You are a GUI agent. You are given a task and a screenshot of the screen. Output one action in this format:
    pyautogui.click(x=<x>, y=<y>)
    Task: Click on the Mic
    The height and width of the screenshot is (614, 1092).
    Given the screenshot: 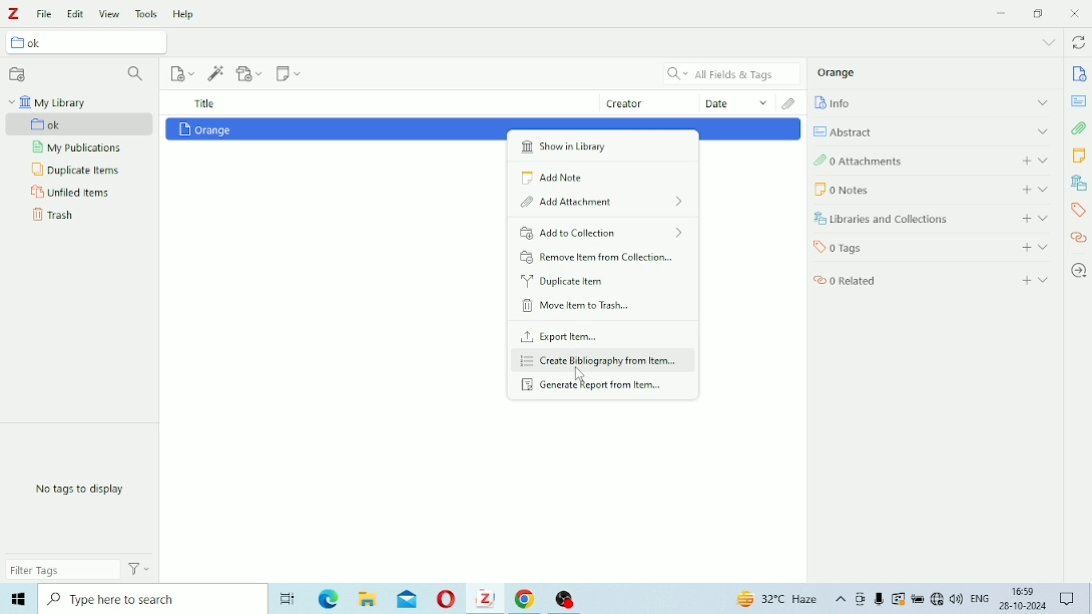 What is the action you would take?
    pyautogui.click(x=879, y=599)
    